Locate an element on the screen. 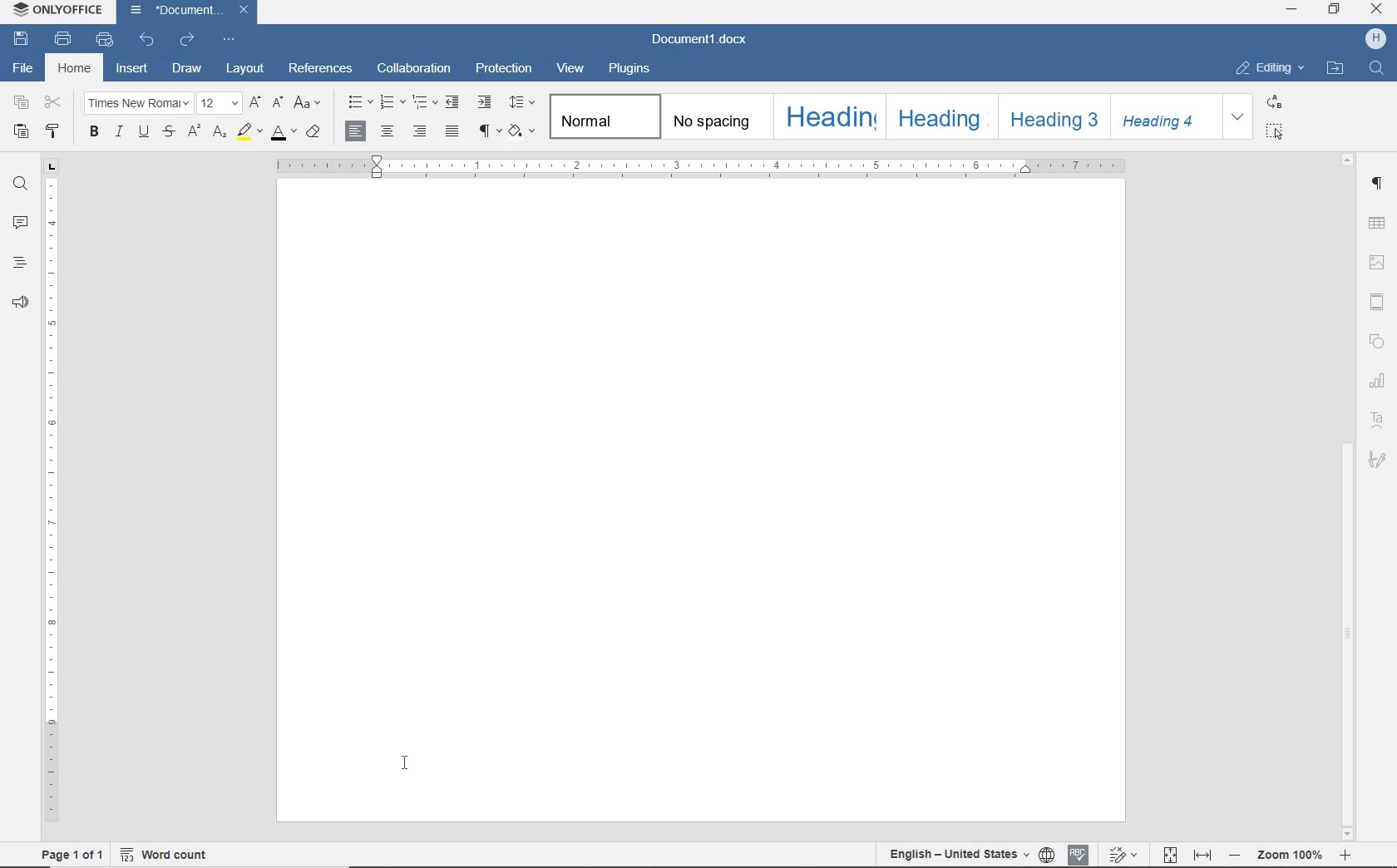 This screenshot has width=1397, height=868. protection is located at coordinates (502, 68).